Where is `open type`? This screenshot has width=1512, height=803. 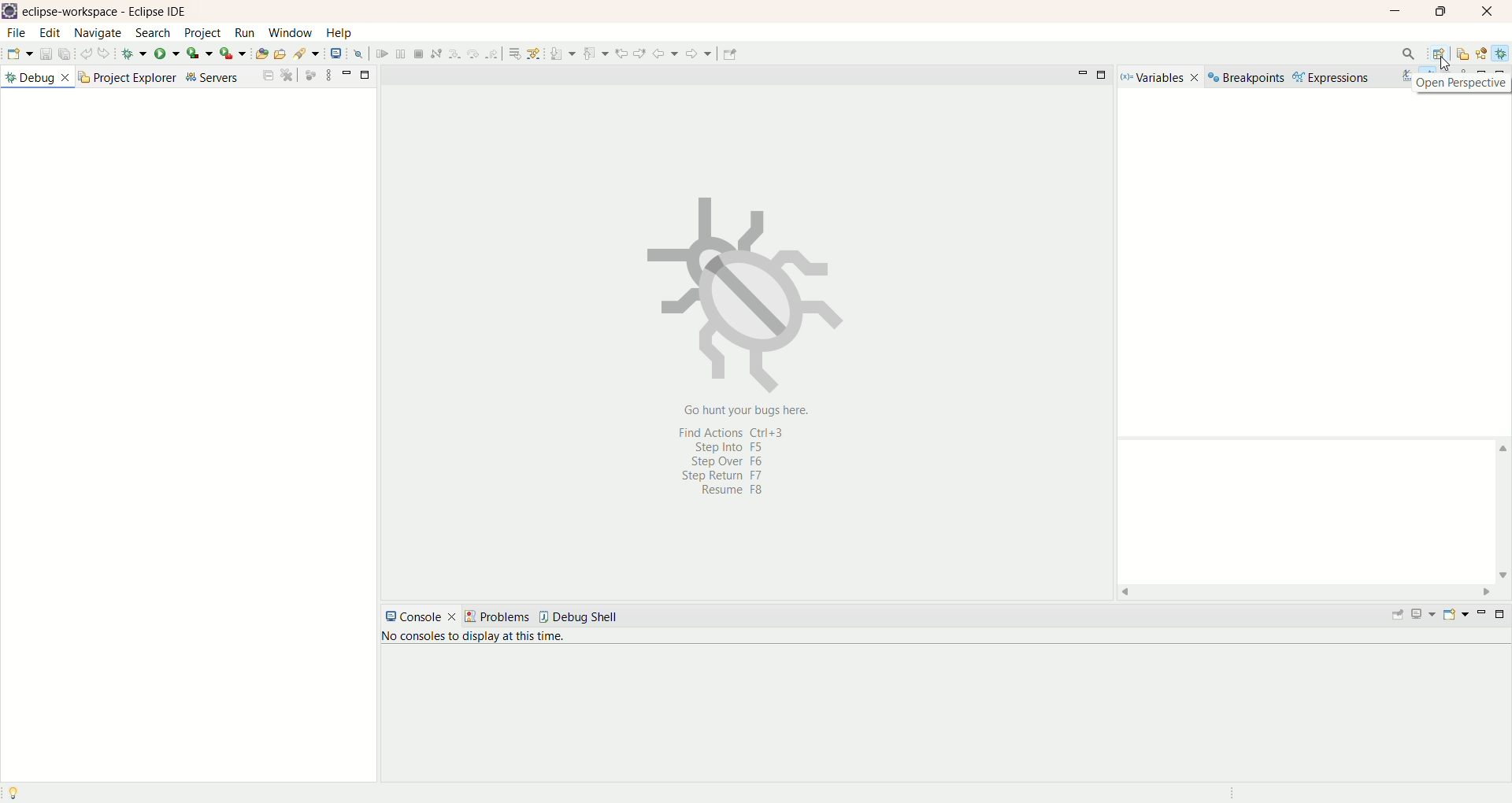 open type is located at coordinates (331, 55).